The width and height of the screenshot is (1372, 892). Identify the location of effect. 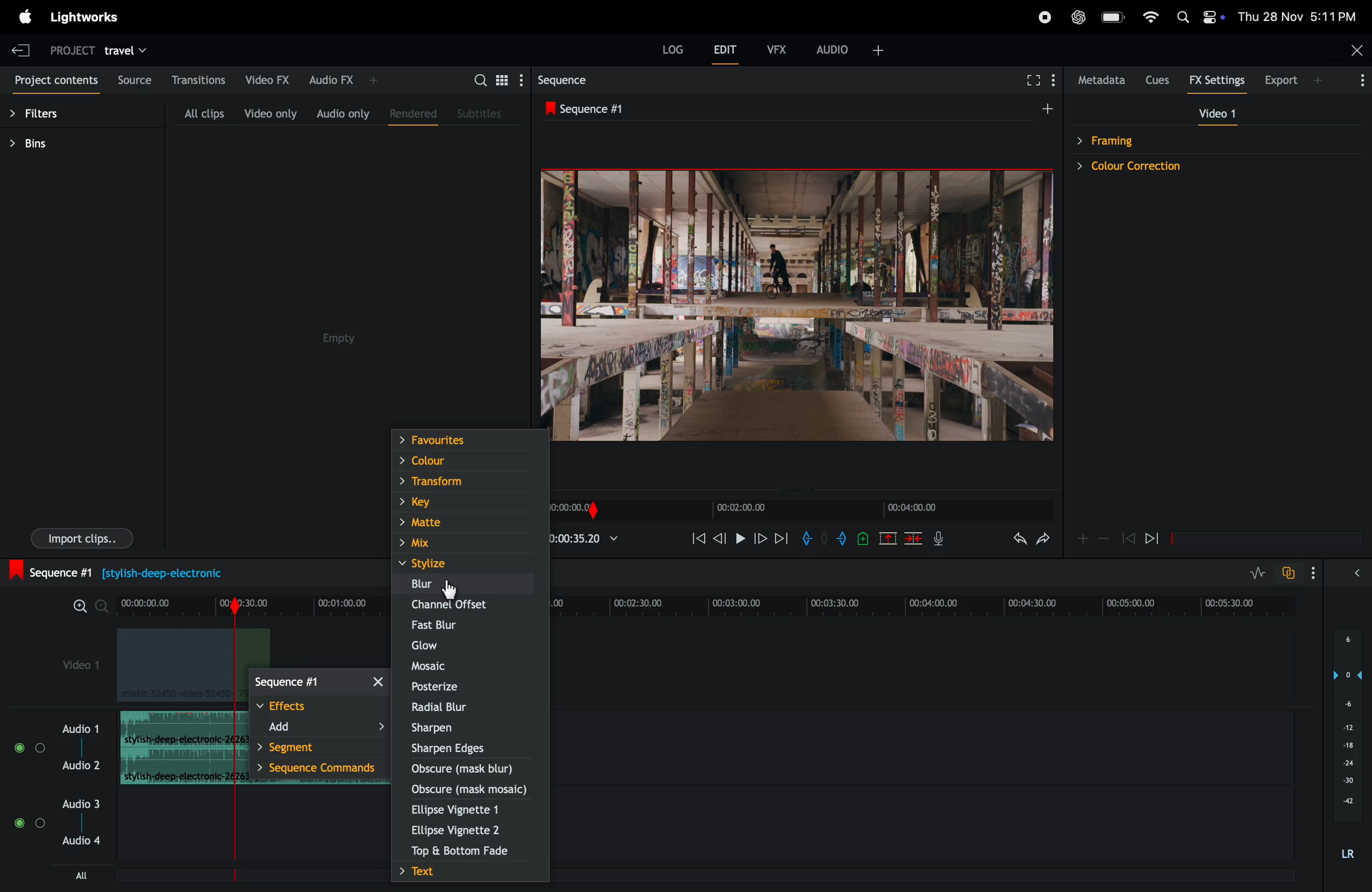
(319, 707).